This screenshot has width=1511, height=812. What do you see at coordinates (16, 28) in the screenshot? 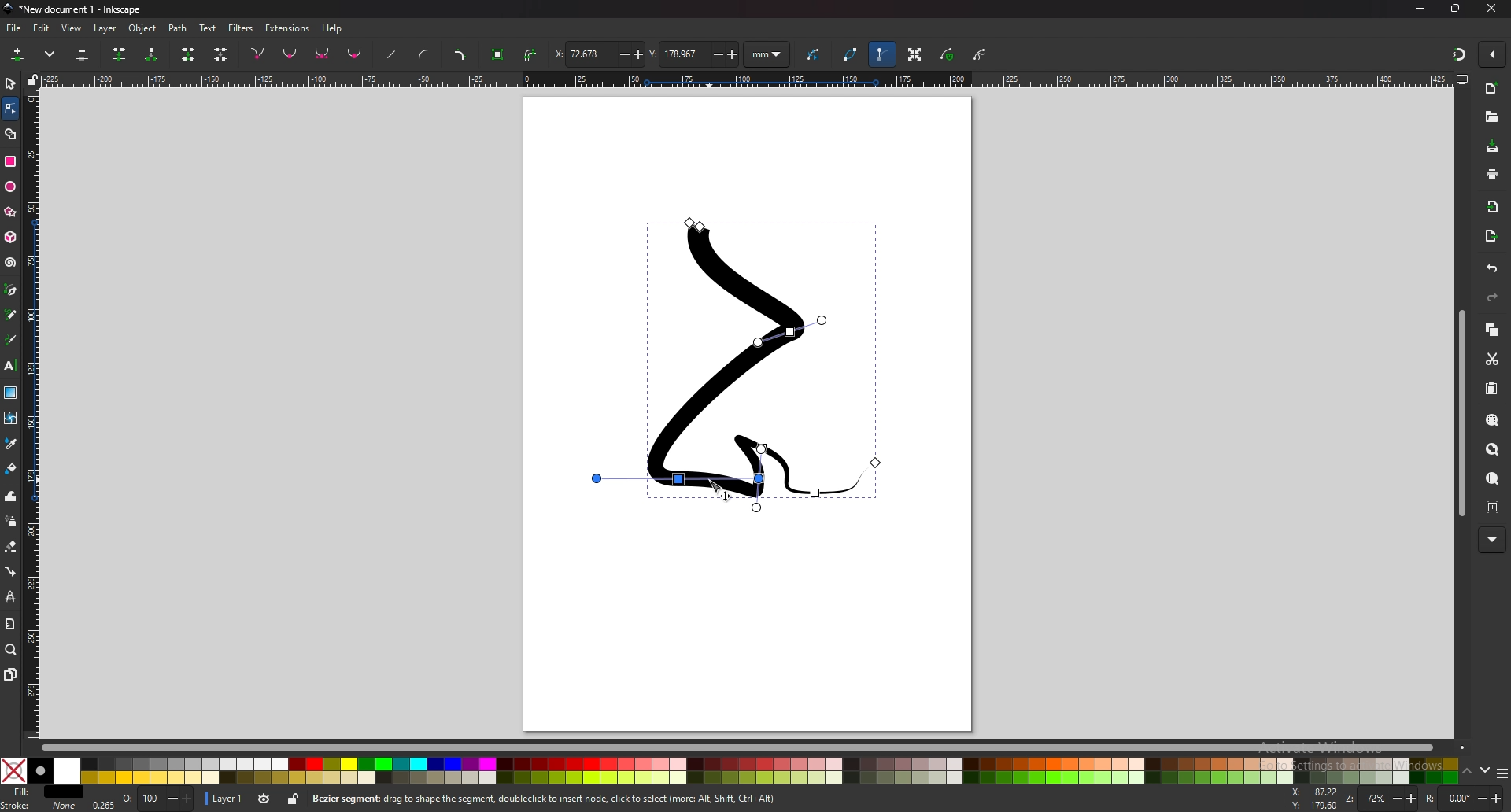
I see `file` at bounding box center [16, 28].